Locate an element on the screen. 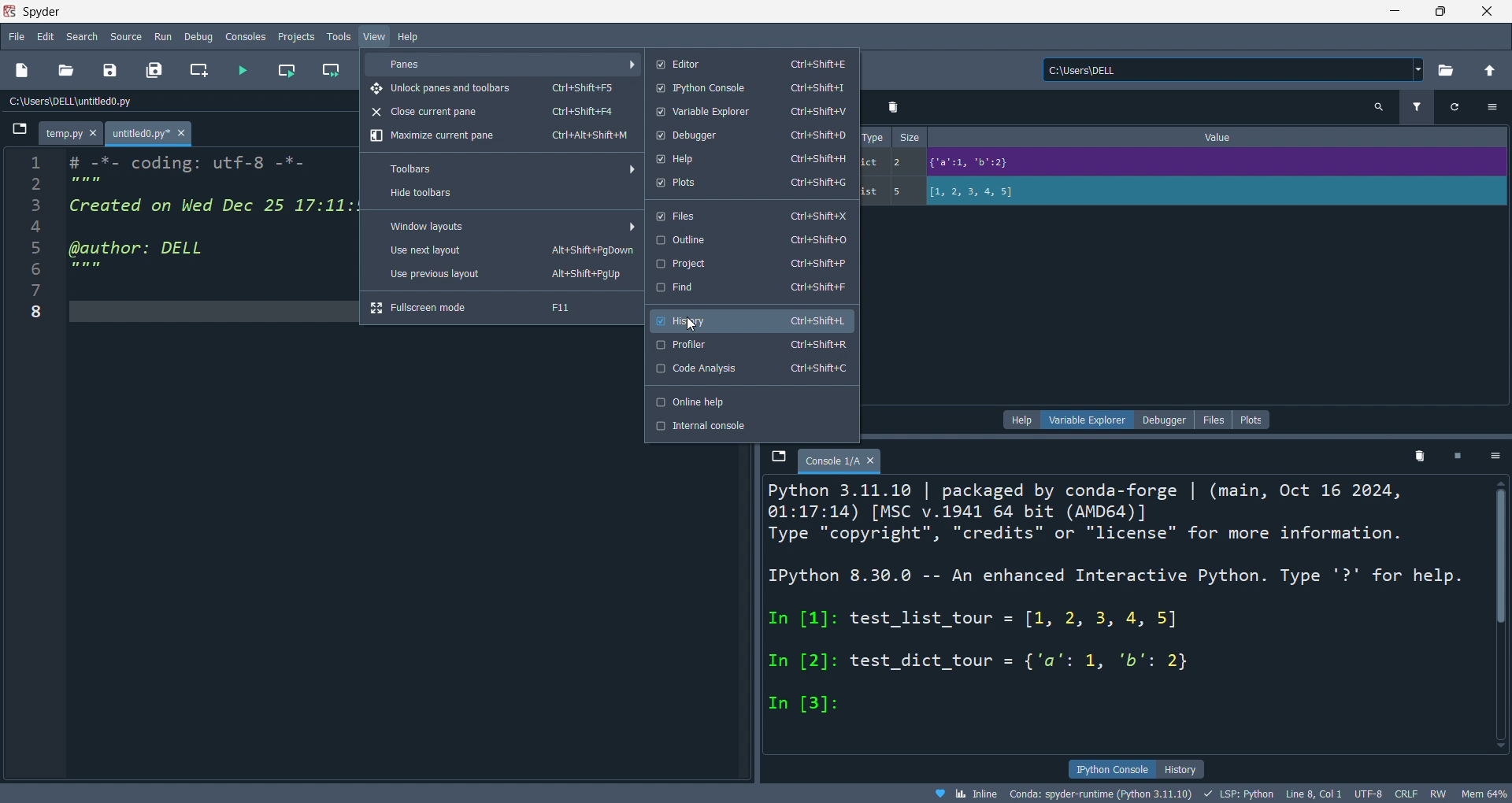 This screenshot has width=1512, height=803. profiler is located at coordinates (752, 345).